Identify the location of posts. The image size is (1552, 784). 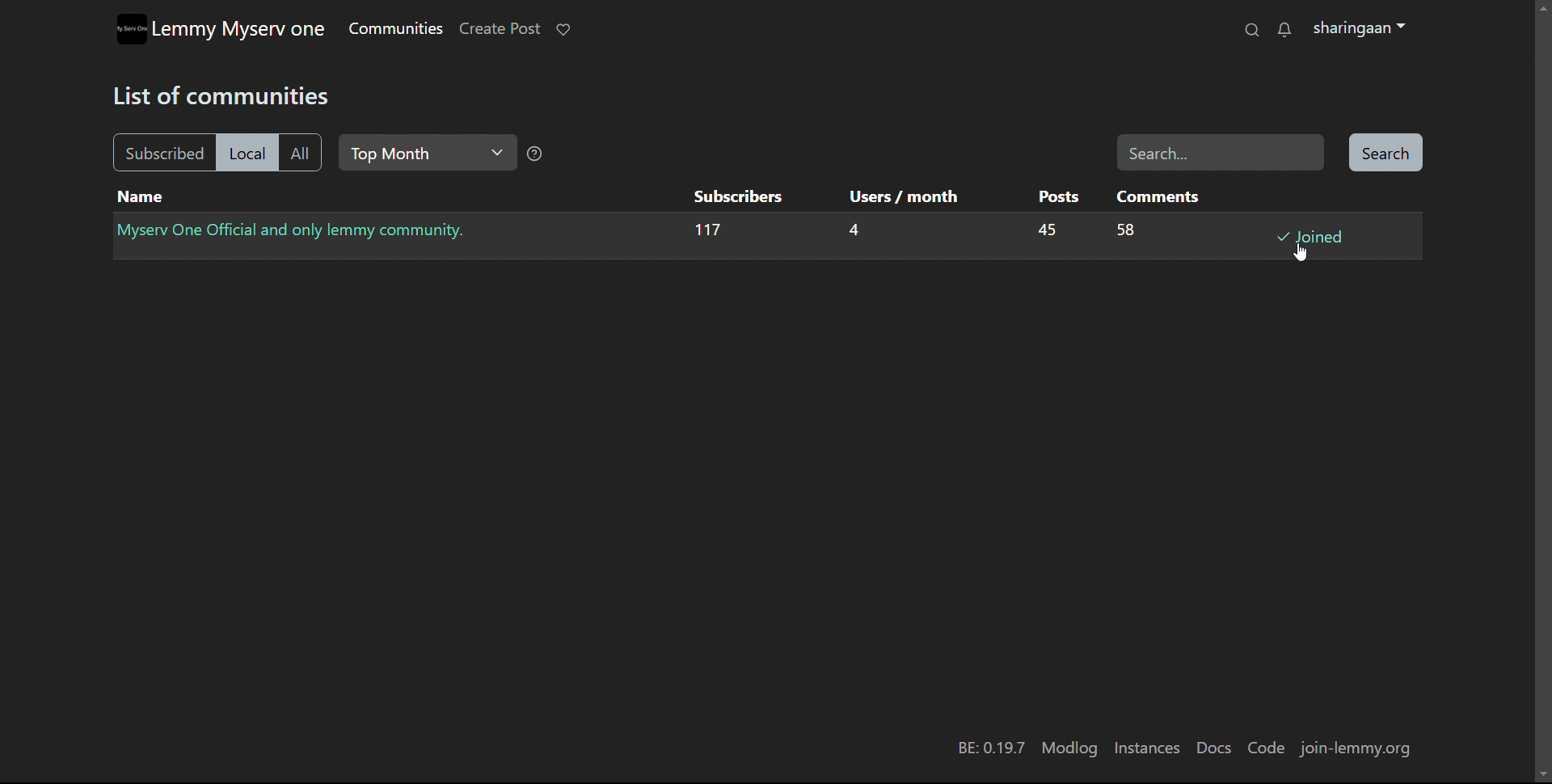
(1055, 196).